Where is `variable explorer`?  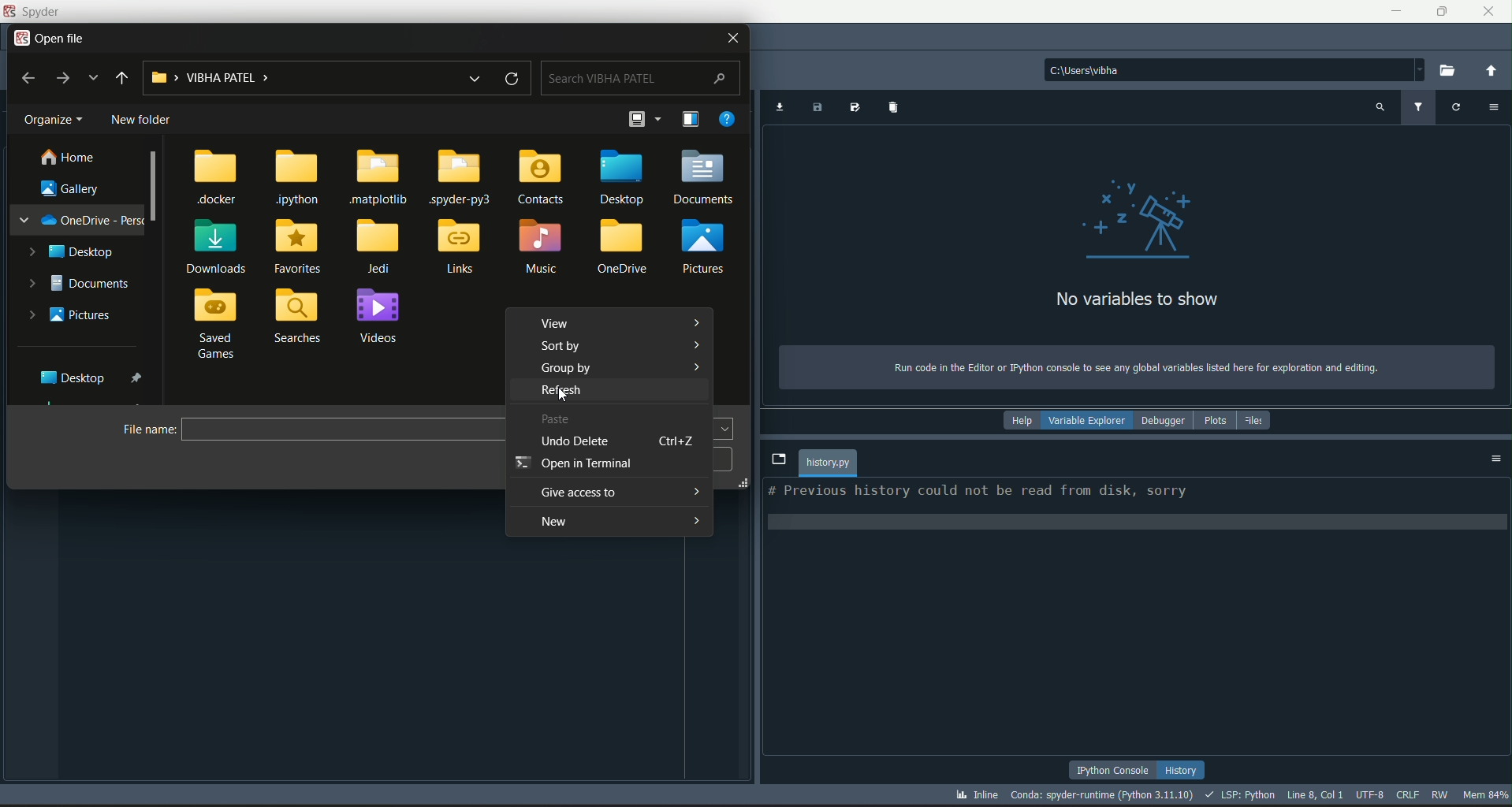 variable explorer is located at coordinates (1086, 421).